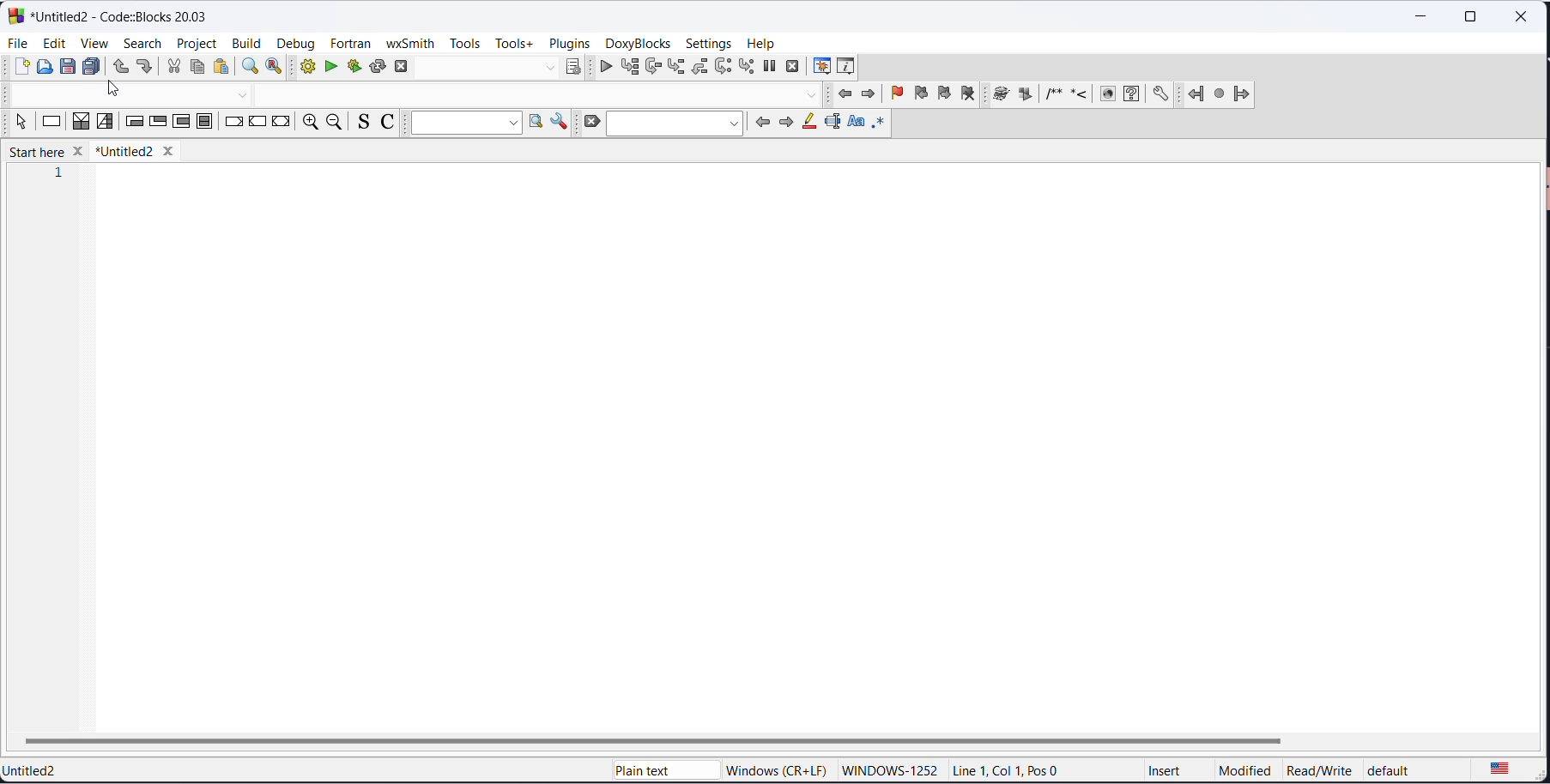 The height and width of the screenshot is (784, 1550). Describe the element at coordinates (972, 95) in the screenshot. I see `remove bookmark` at that location.